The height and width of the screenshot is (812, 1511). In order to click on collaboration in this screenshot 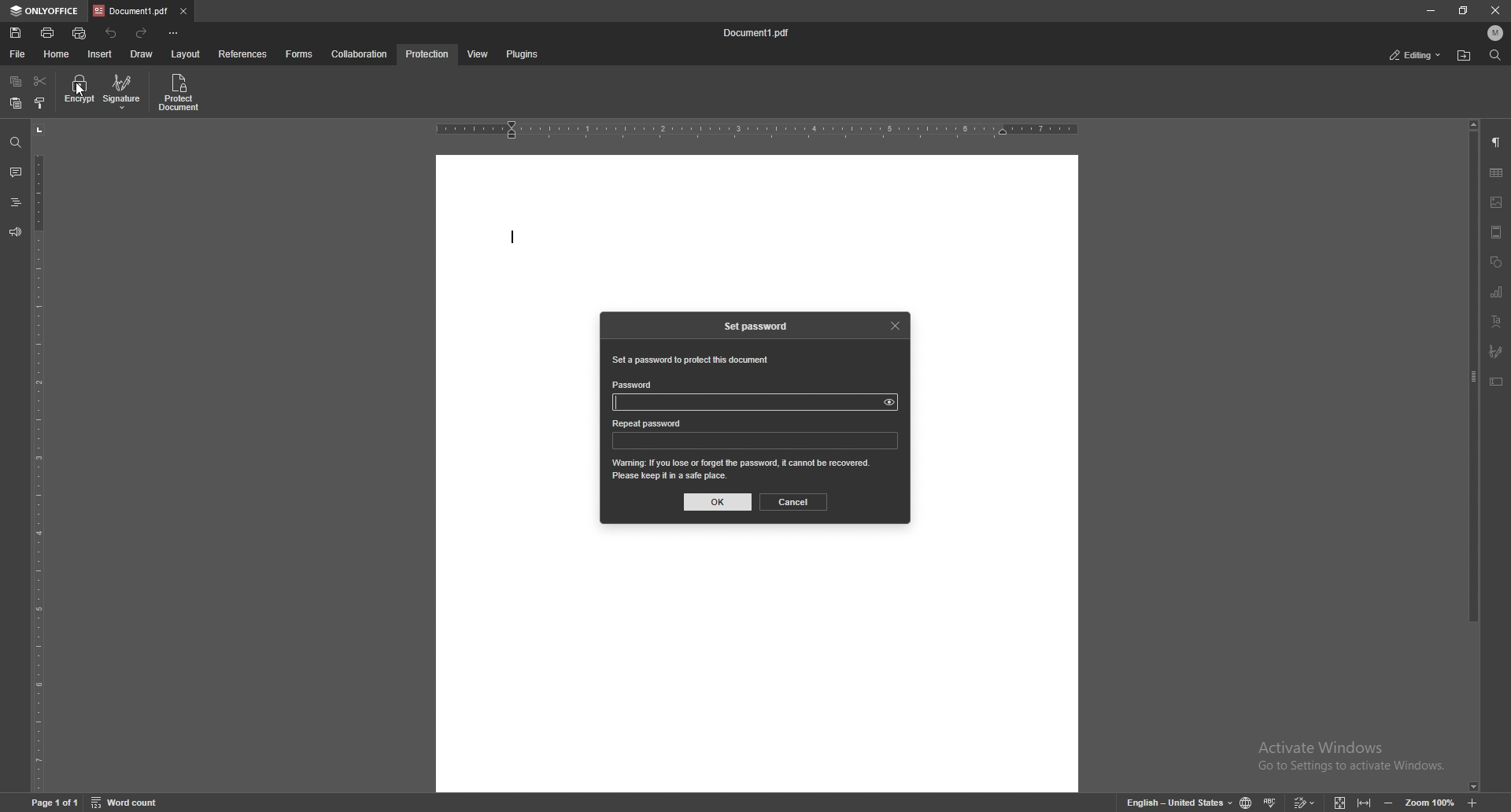, I will do `click(360, 54)`.